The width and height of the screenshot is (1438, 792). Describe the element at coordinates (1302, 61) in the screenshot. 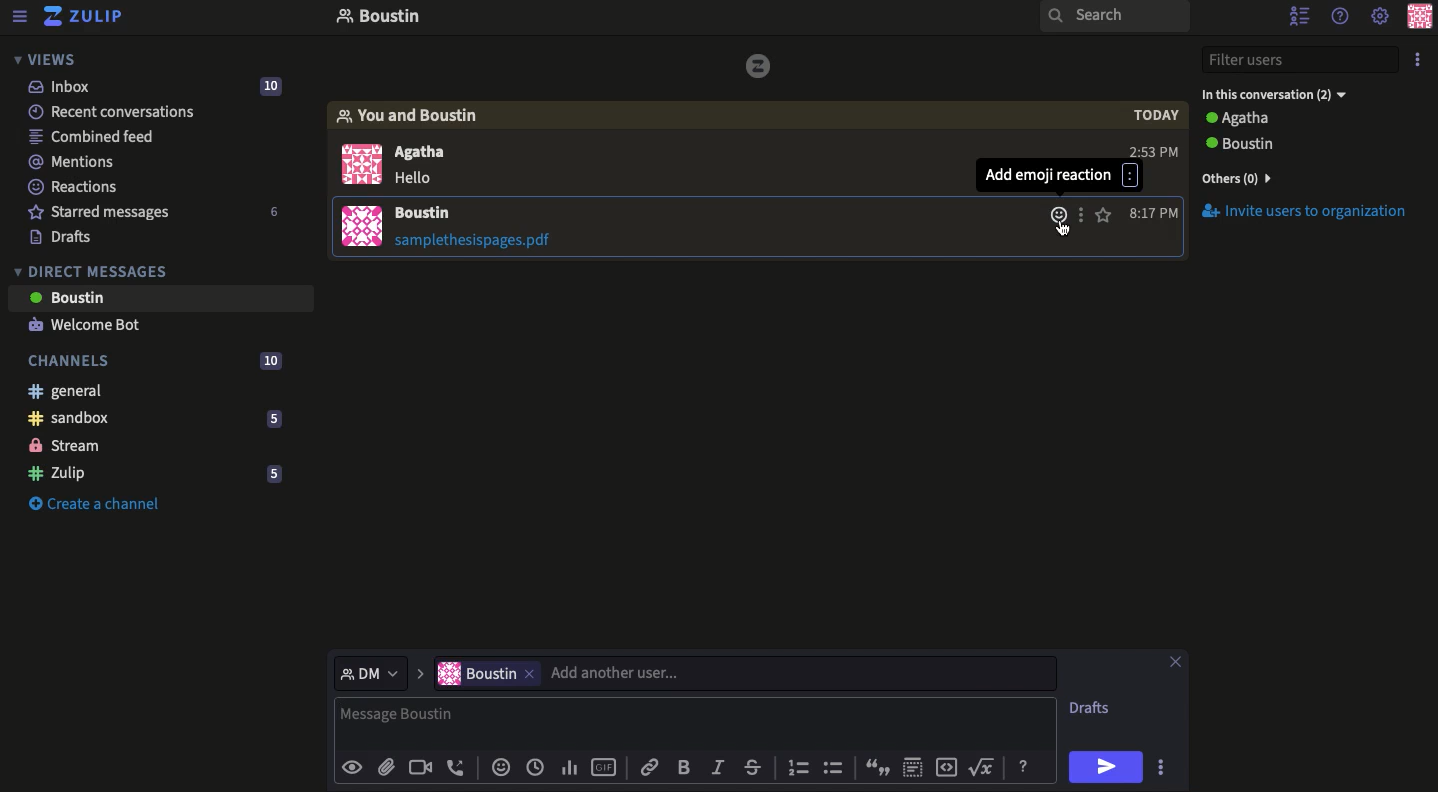

I see `Filter users` at that location.